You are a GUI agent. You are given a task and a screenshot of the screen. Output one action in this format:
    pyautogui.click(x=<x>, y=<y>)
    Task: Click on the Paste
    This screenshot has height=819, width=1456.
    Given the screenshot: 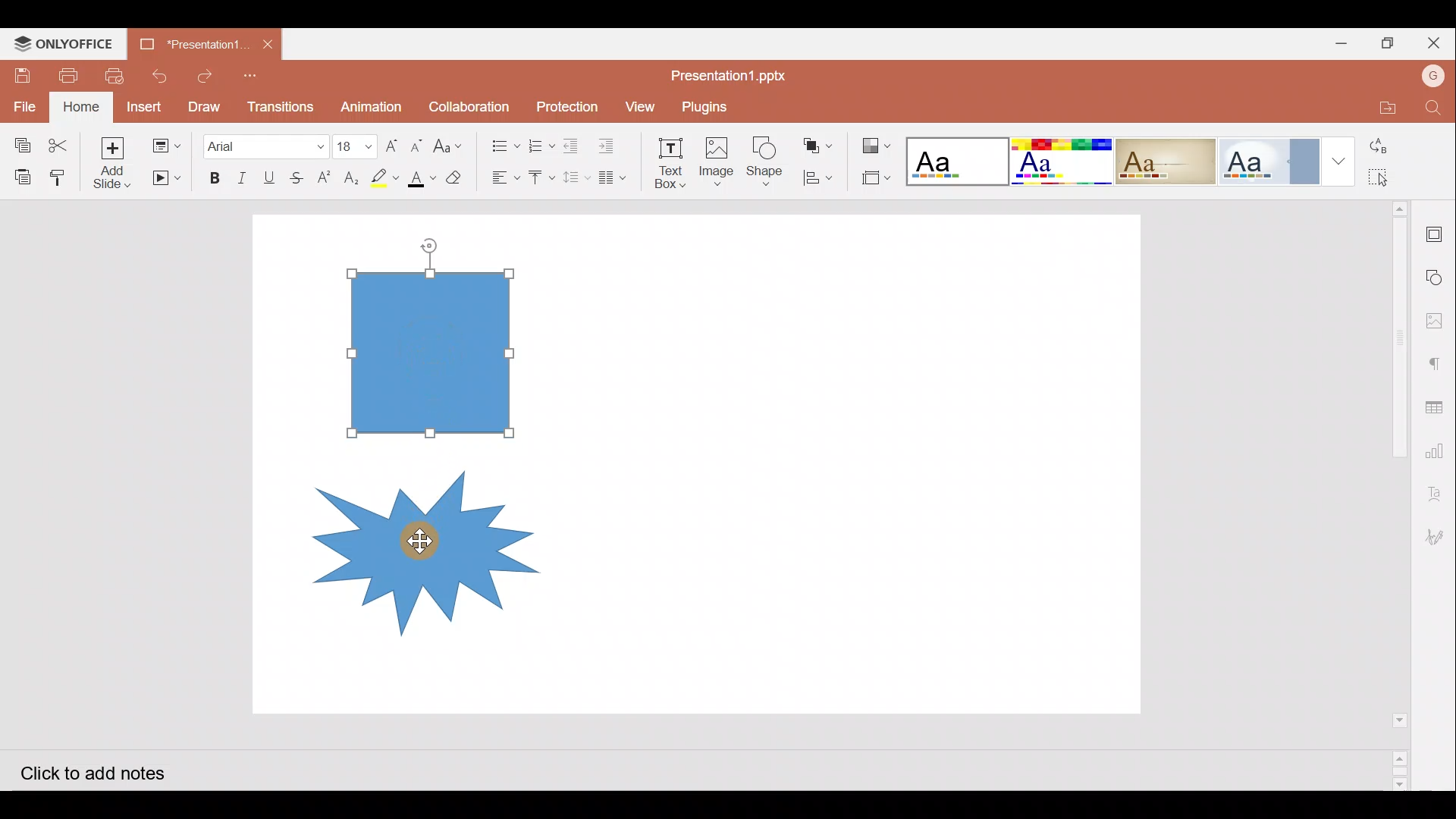 What is the action you would take?
    pyautogui.click(x=22, y=175)
    